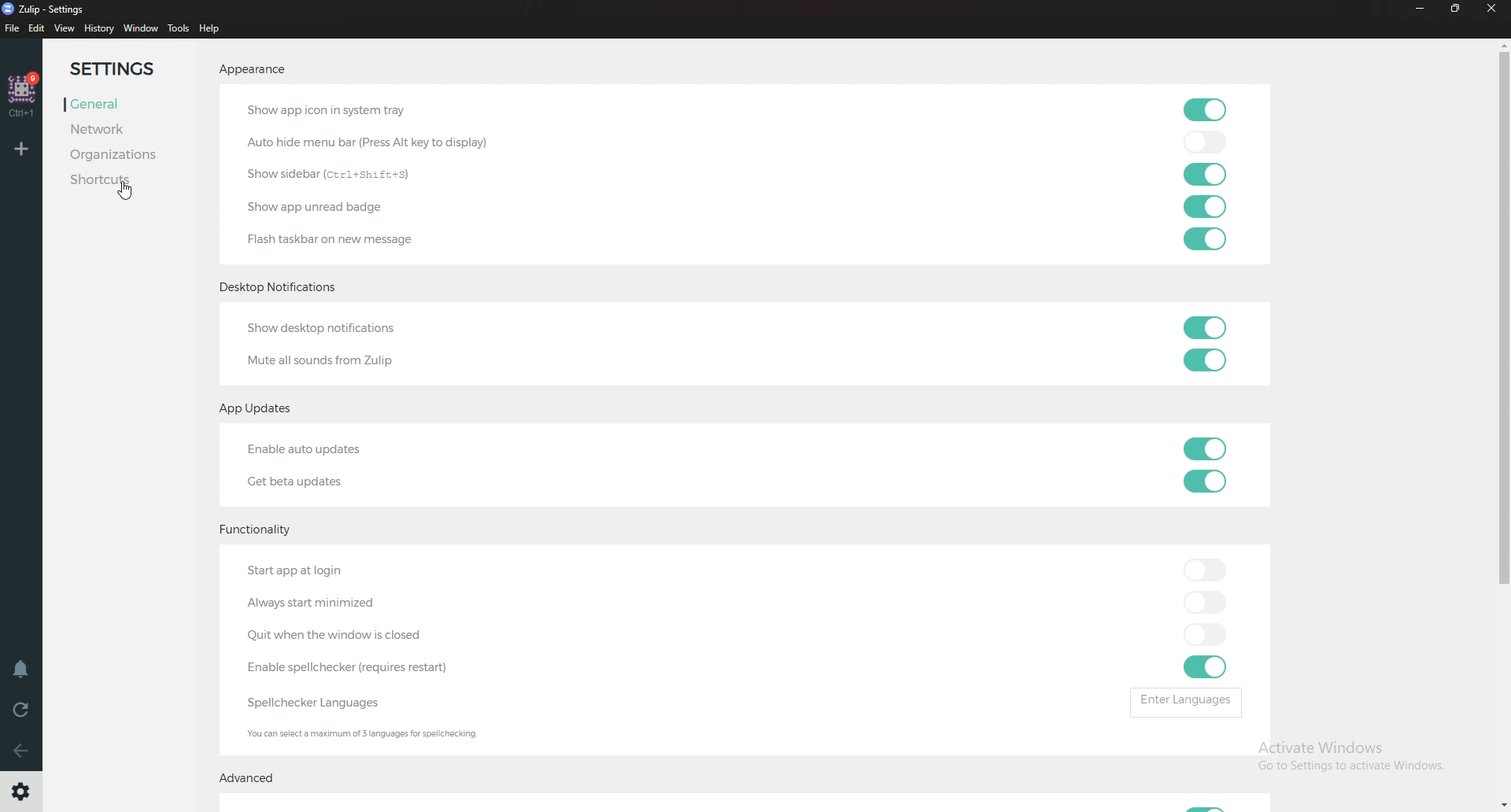  What do you see at coordinates (118, 70) in the screenshot?
I see `Settings` at bounding box center [118, 70].